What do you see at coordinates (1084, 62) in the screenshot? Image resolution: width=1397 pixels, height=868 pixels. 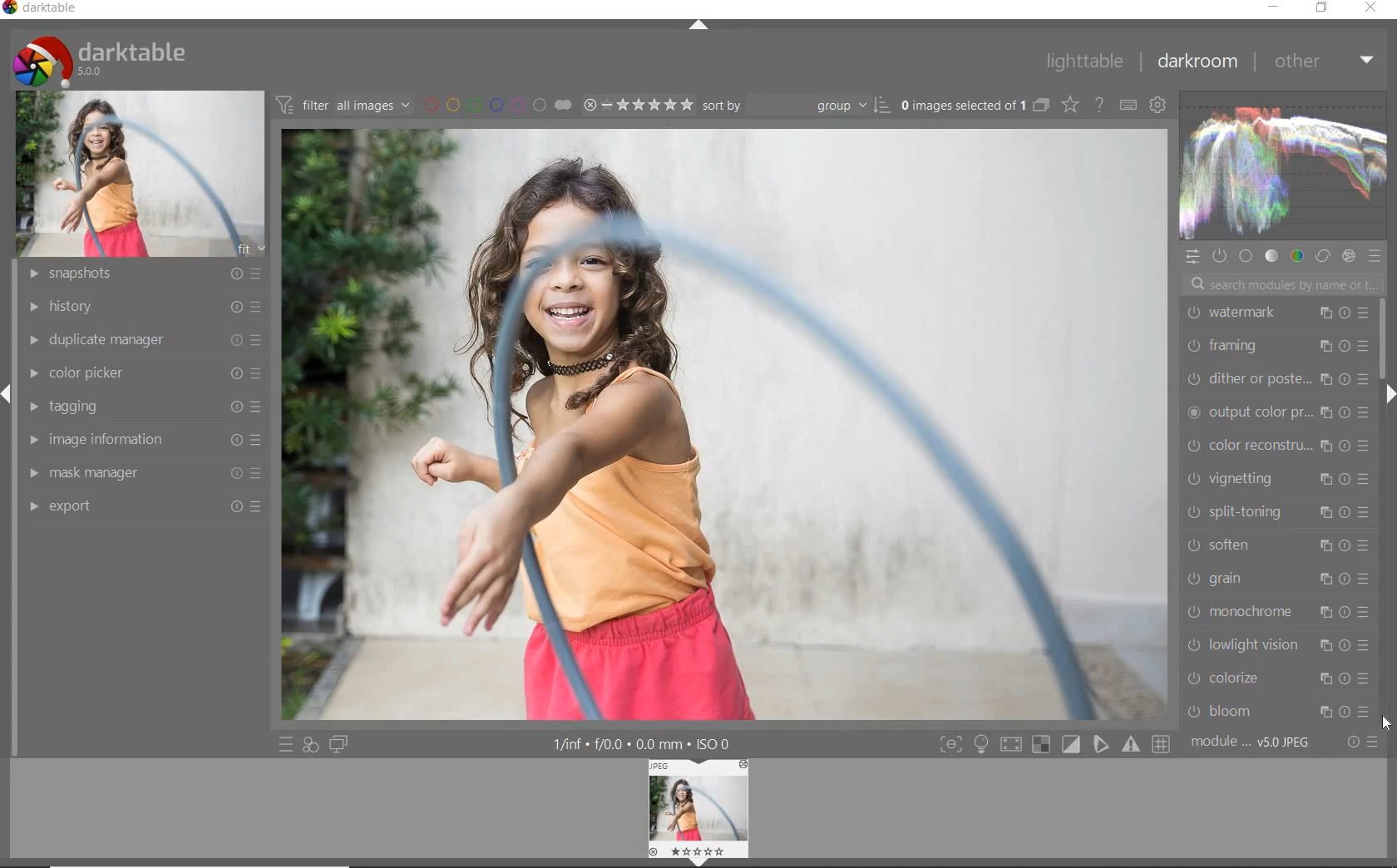 I see `lighttable` at bounding box center [1084, 62].